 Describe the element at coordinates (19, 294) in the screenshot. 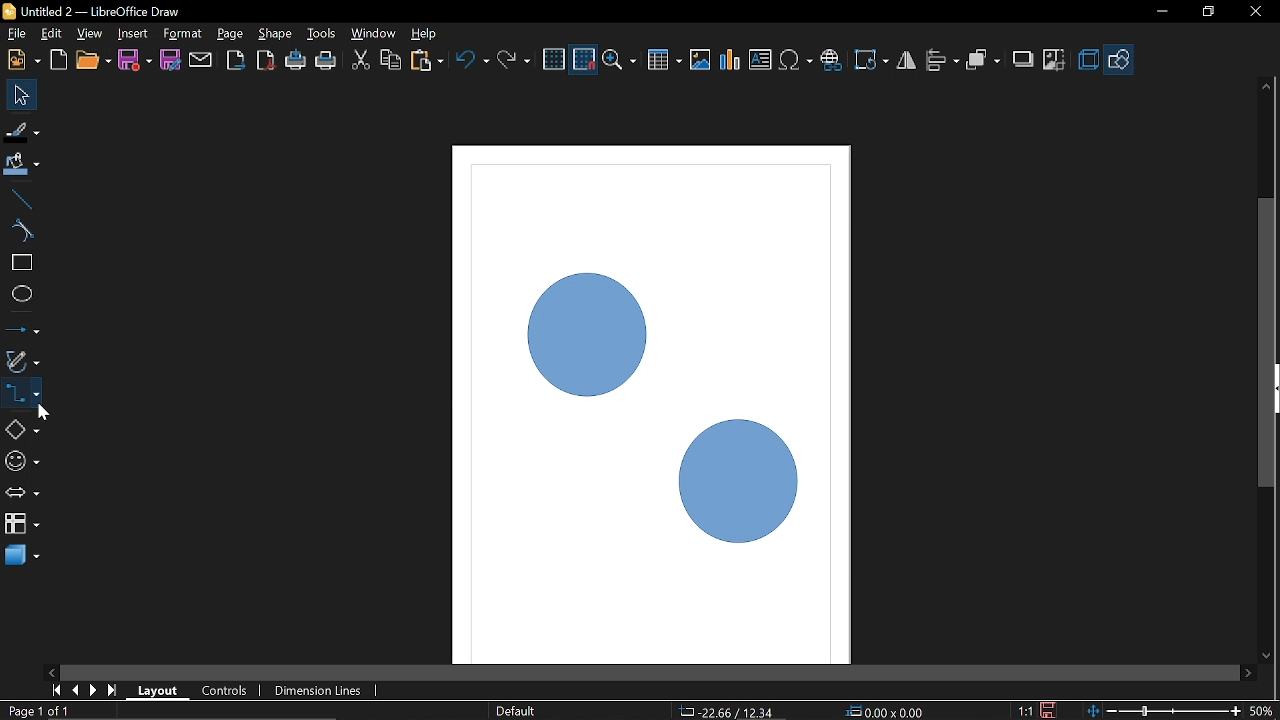

I see `Ellipse` at that location.